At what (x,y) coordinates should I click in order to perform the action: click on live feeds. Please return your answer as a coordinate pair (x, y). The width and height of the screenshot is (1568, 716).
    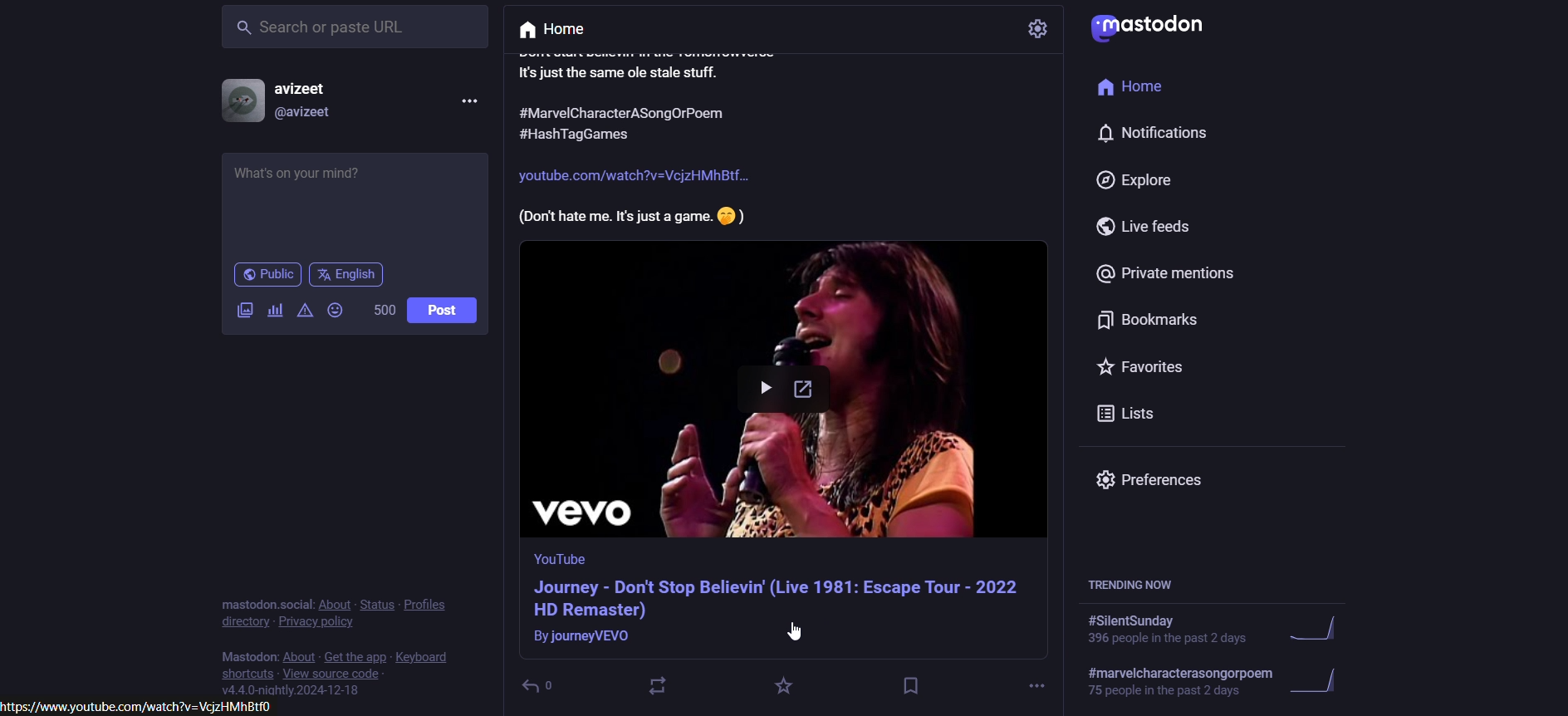
    Looking at the image, I should click on (1154, 228).